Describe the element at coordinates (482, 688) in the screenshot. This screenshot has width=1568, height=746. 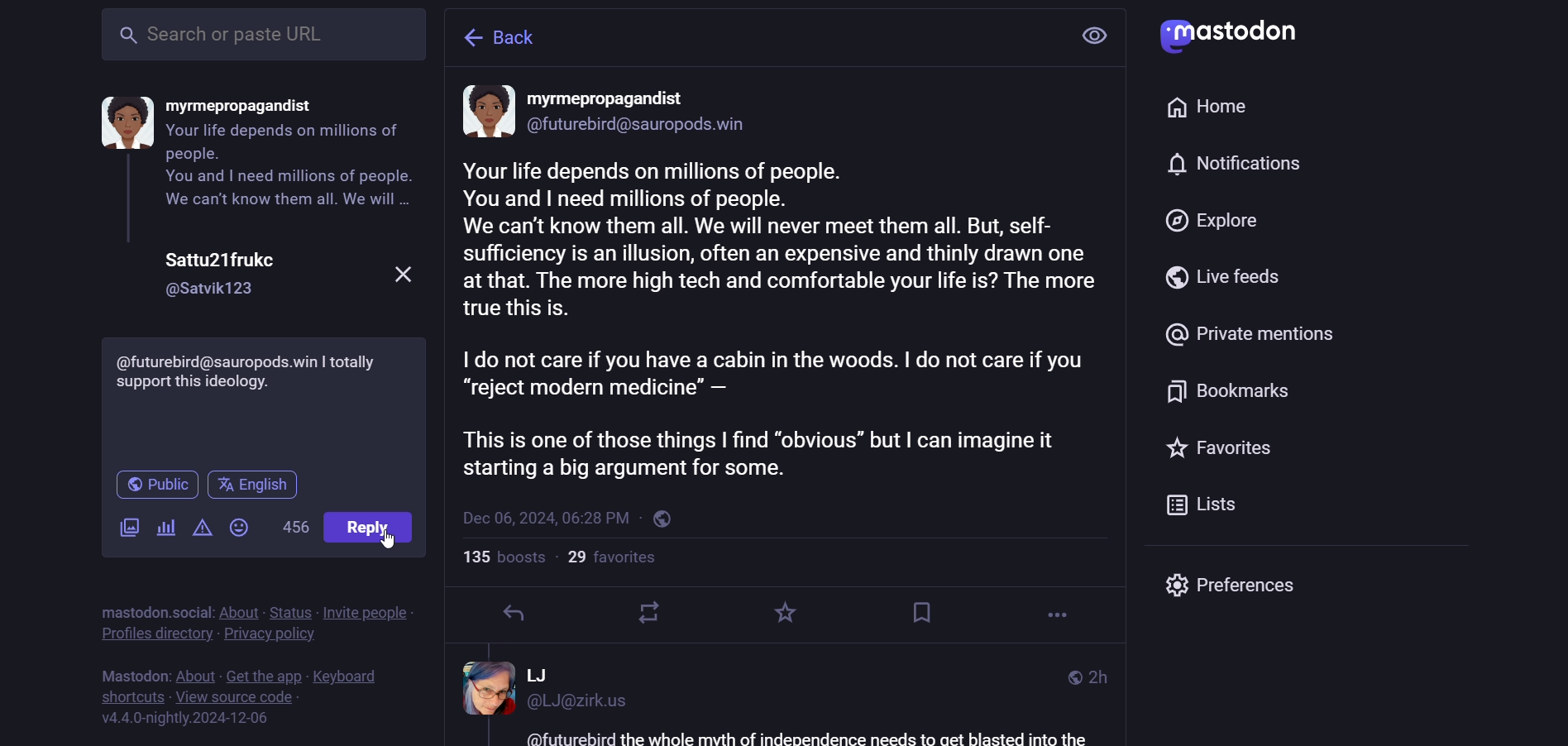
I see `display picture` at that location.